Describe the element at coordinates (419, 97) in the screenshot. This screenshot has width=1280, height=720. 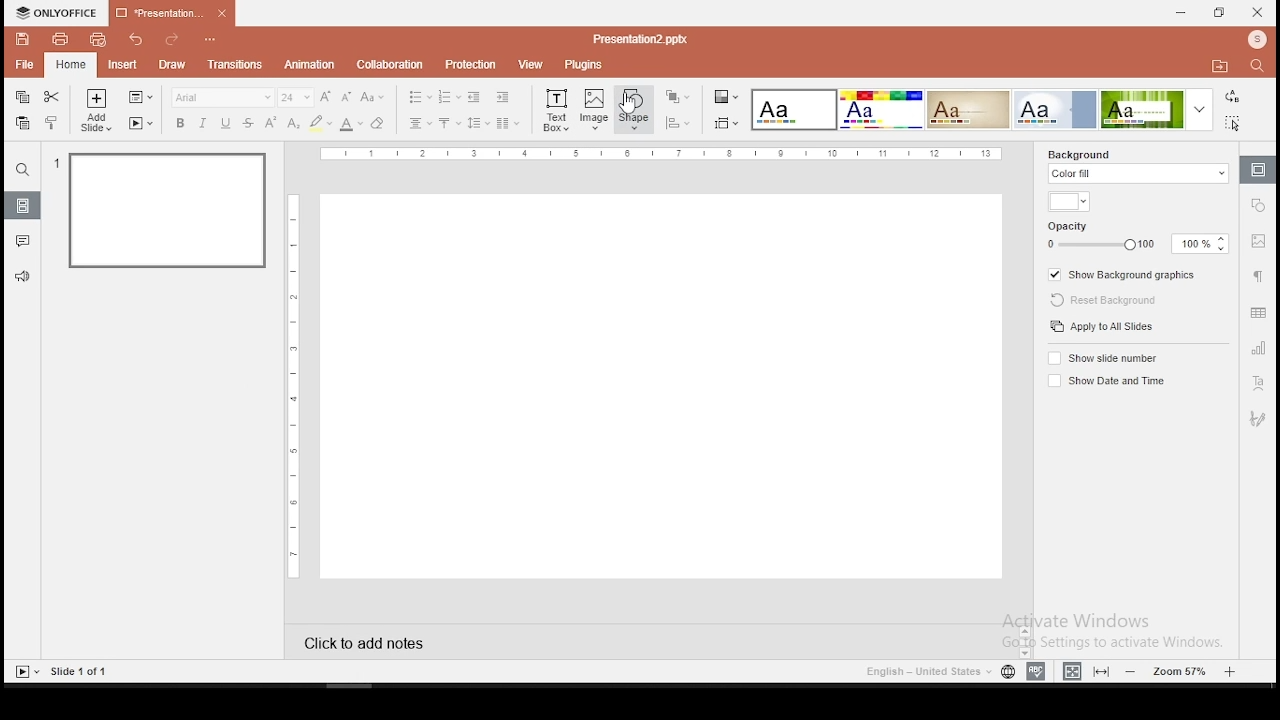
I see `bullets` at that location.